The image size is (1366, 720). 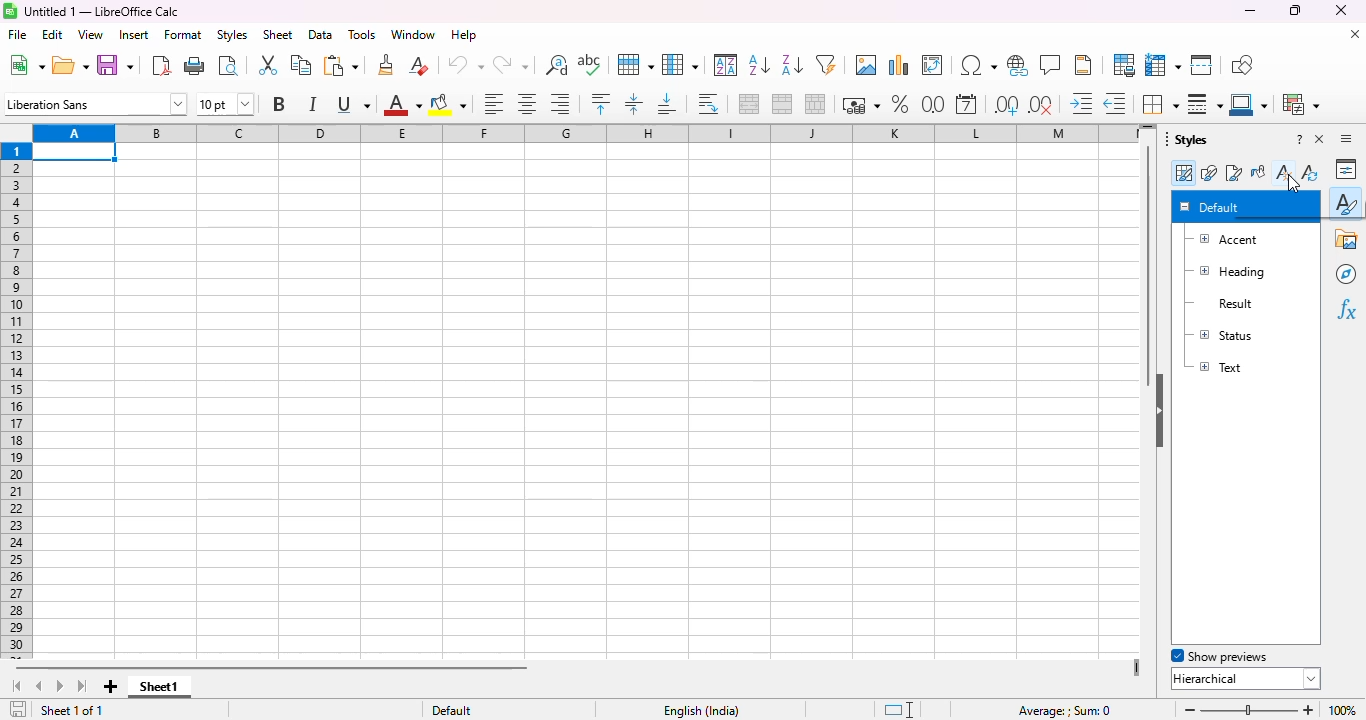 What do you see at coordinates (302, 64) in the screenshot?
I see `copy` at bounding box center [302, 64].